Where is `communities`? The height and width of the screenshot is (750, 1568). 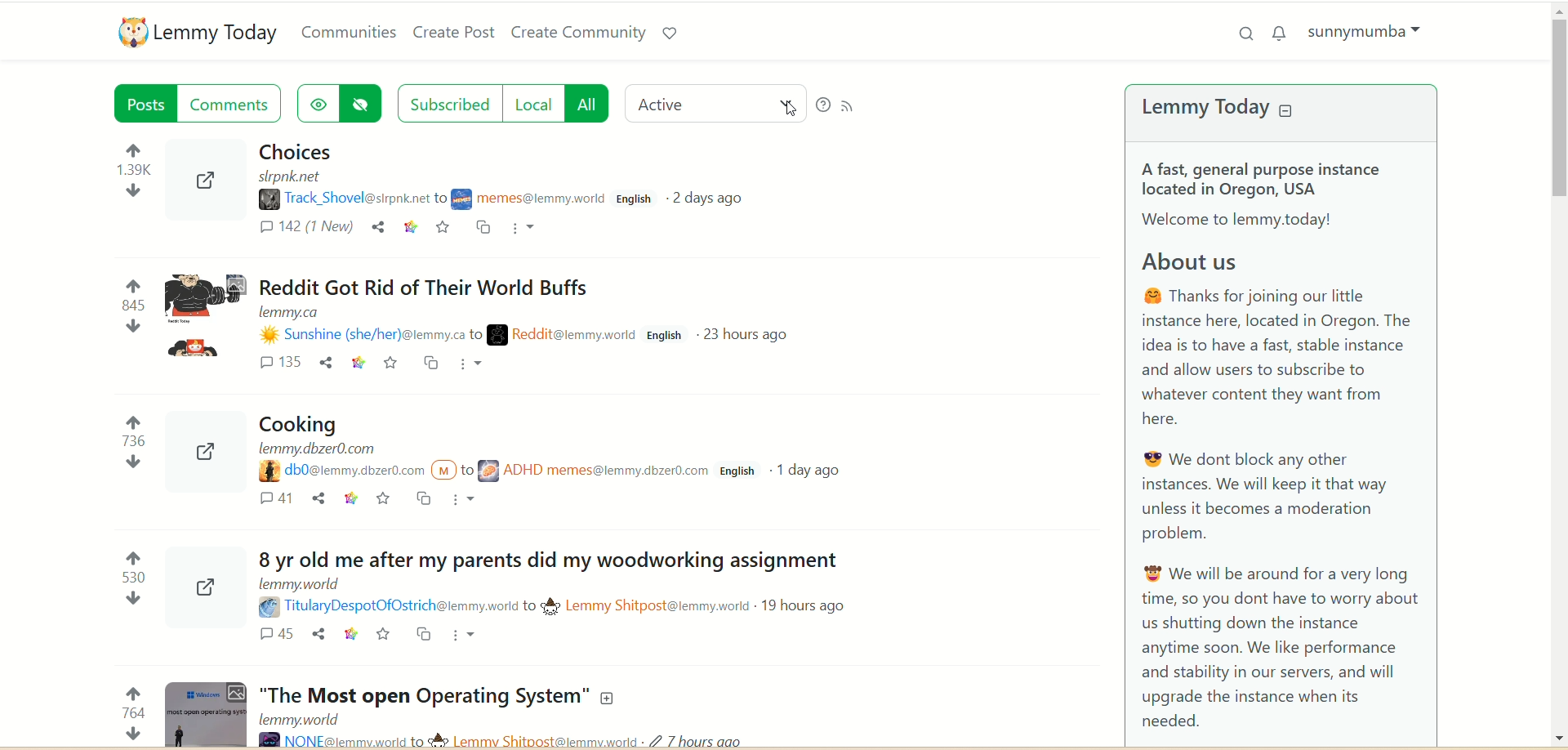 communities is located at coordinates (350, 32).